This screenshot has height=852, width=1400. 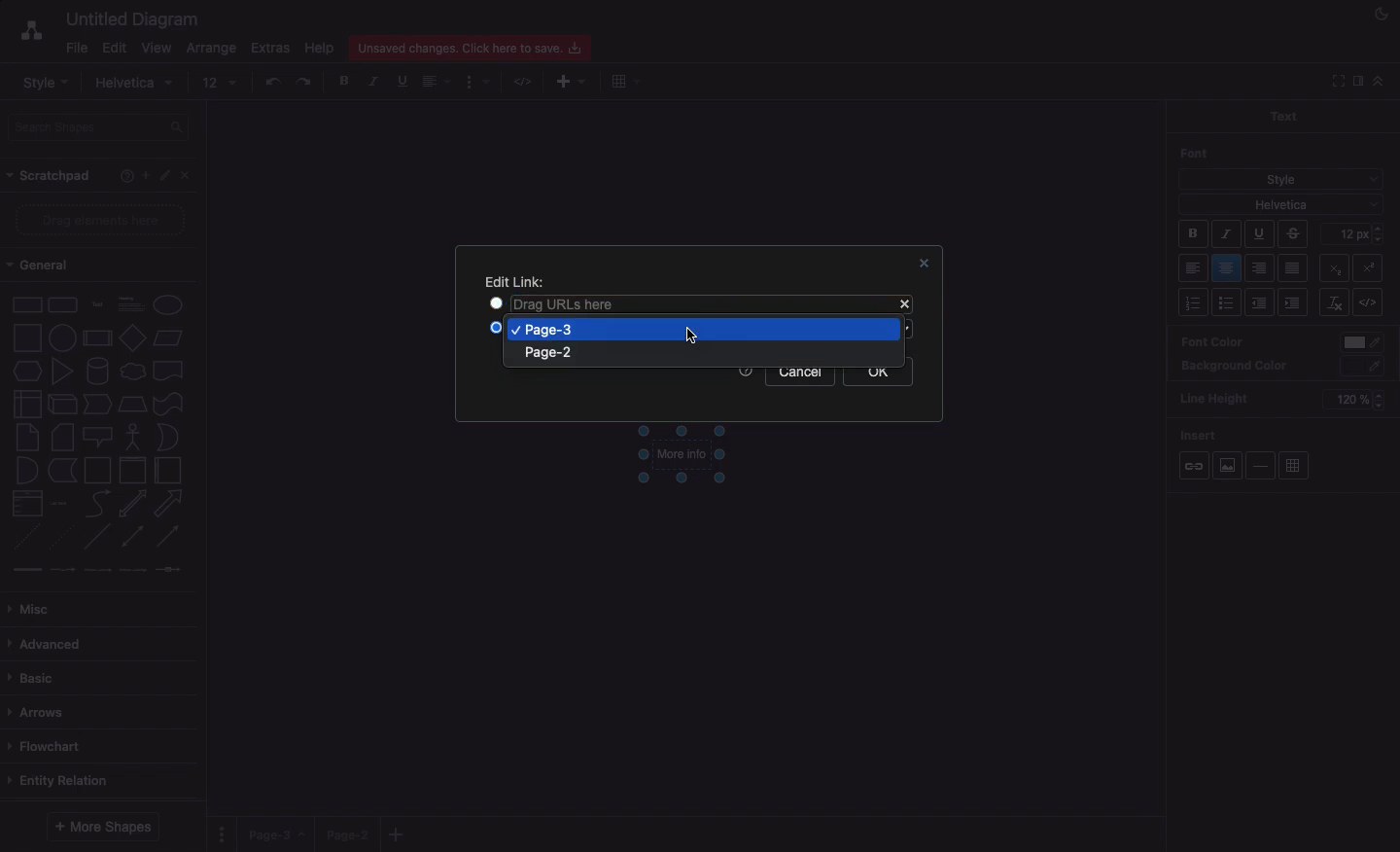 What do you see at coordinates (1335, 82) in the screenshot?
I see `Collapse` at bounding box center [1335, 82].